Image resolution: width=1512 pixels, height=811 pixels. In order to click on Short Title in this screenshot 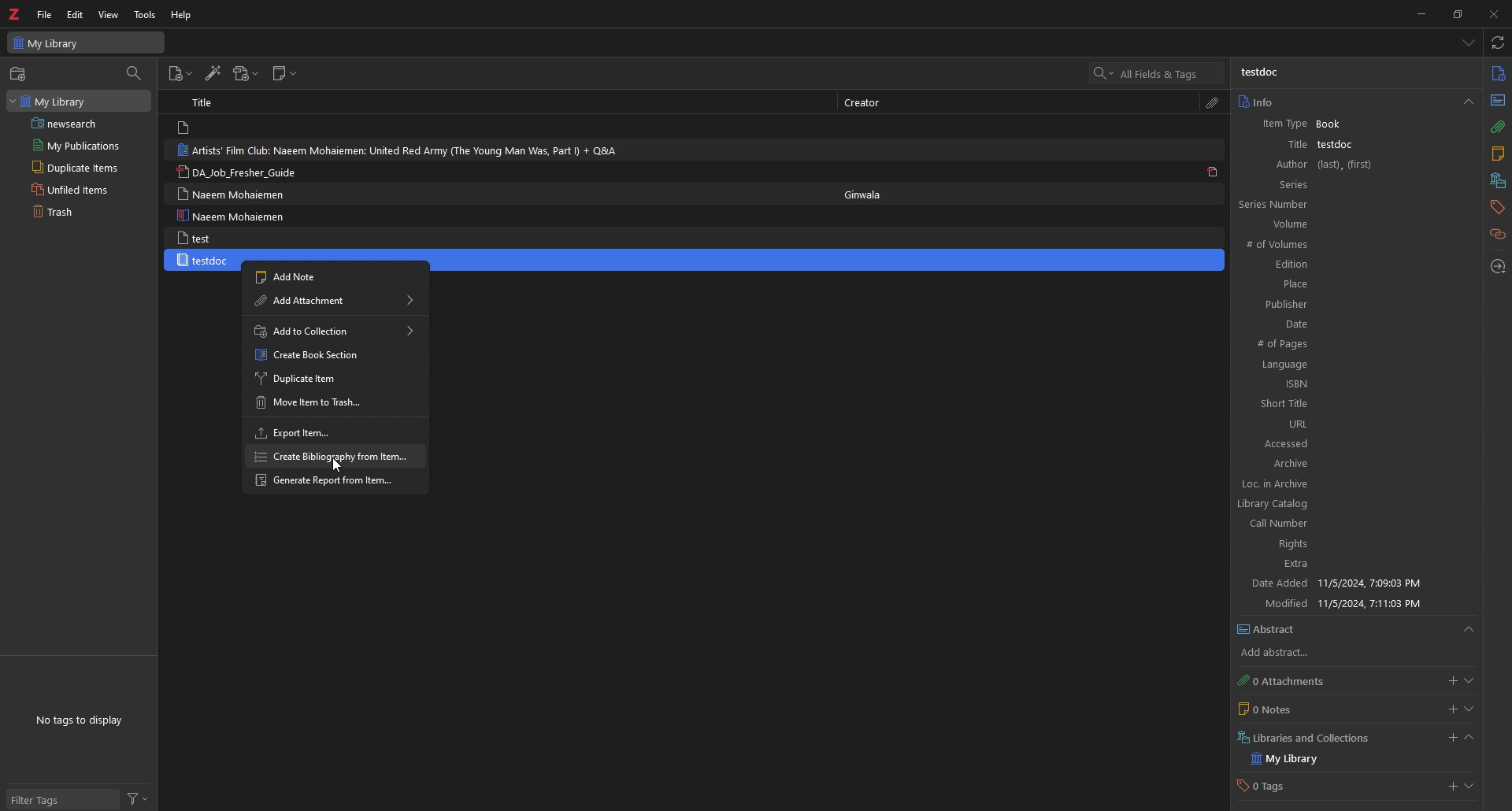, I will do `click(1353, 404)`.